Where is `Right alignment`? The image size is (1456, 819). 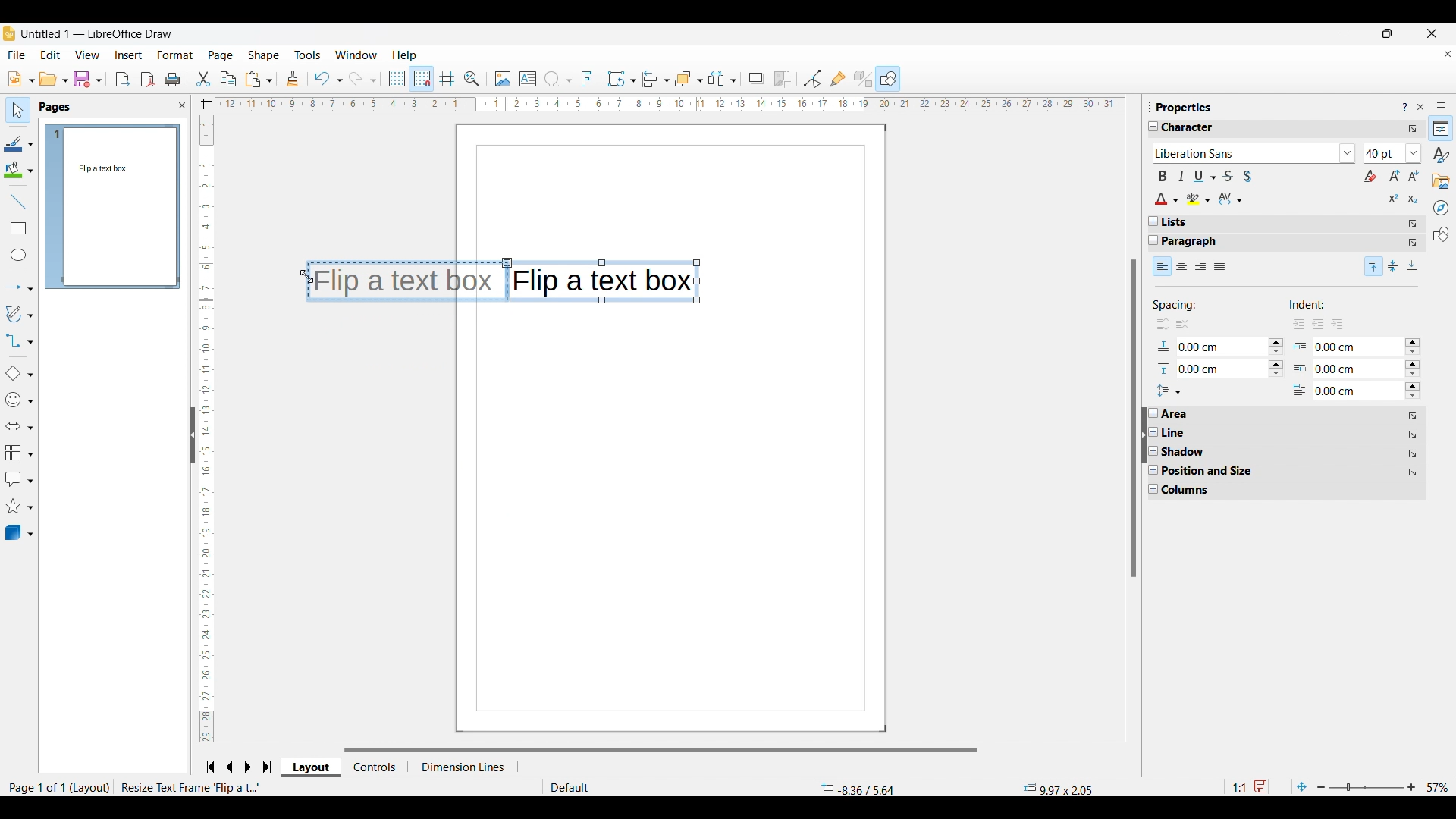
Right alignment is located at coordinates (1200, 268).